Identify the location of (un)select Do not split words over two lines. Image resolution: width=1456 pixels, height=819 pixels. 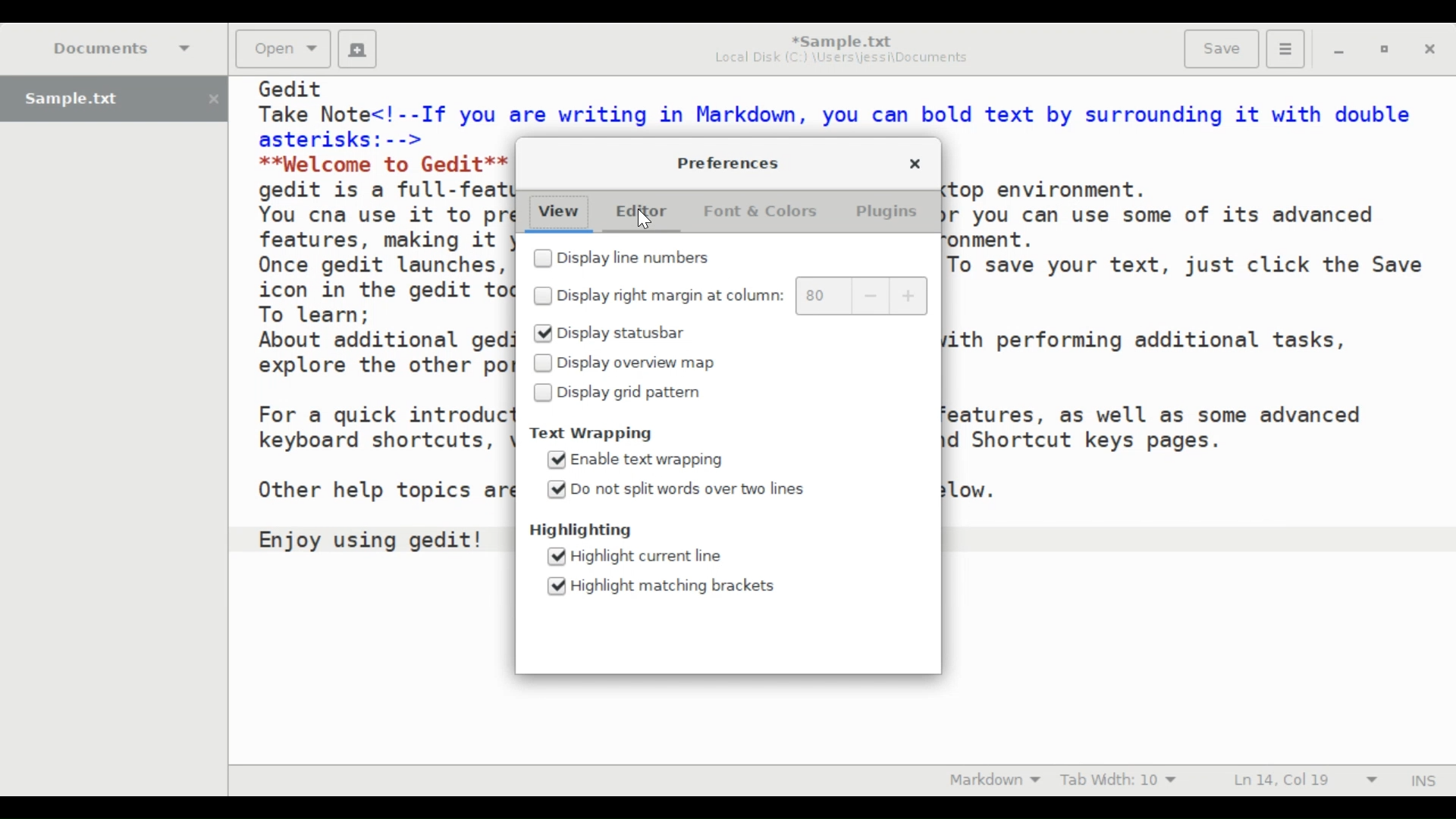
(679, 489).